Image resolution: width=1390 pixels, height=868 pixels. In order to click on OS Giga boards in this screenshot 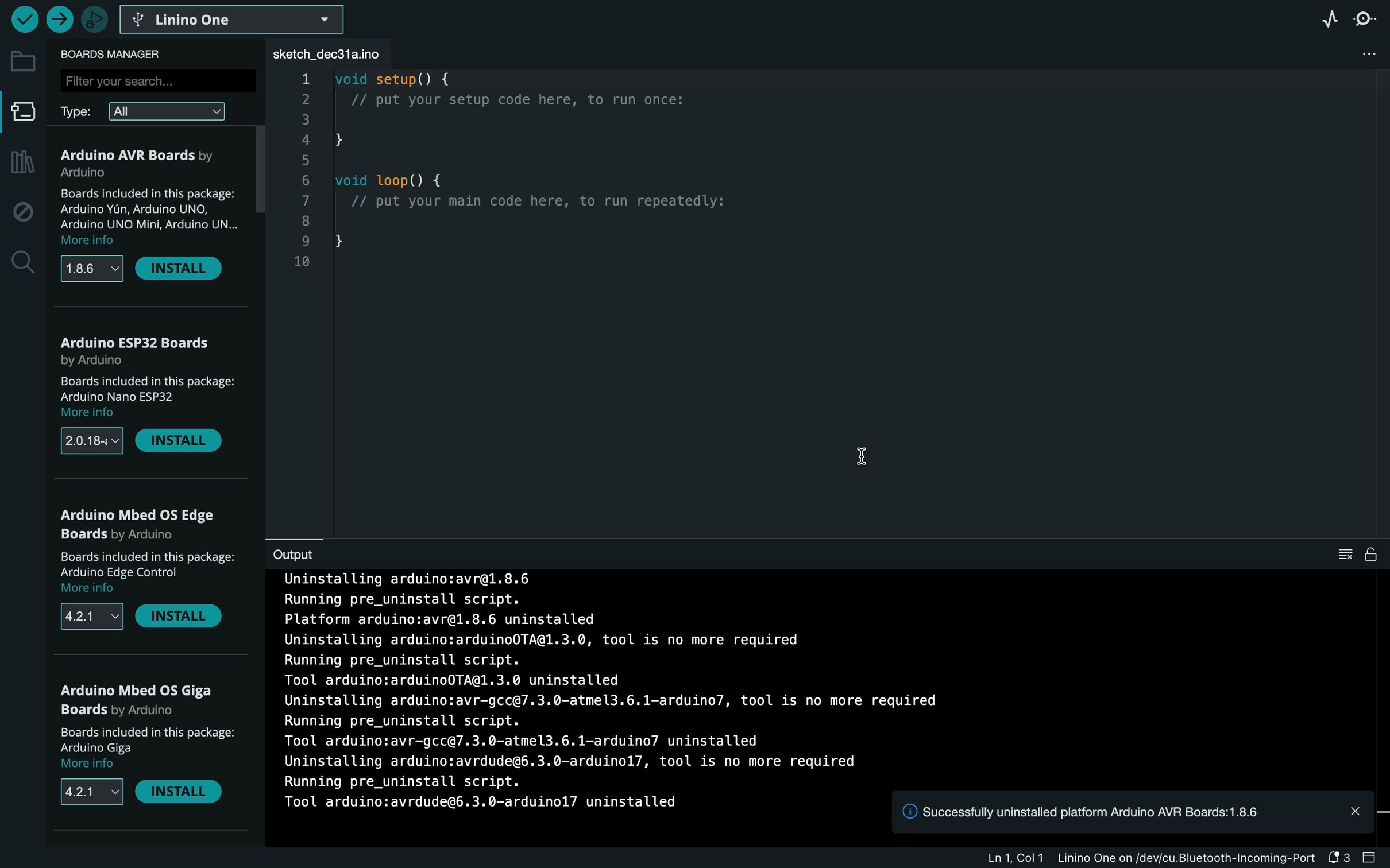, I will do `click(143, 700)`.